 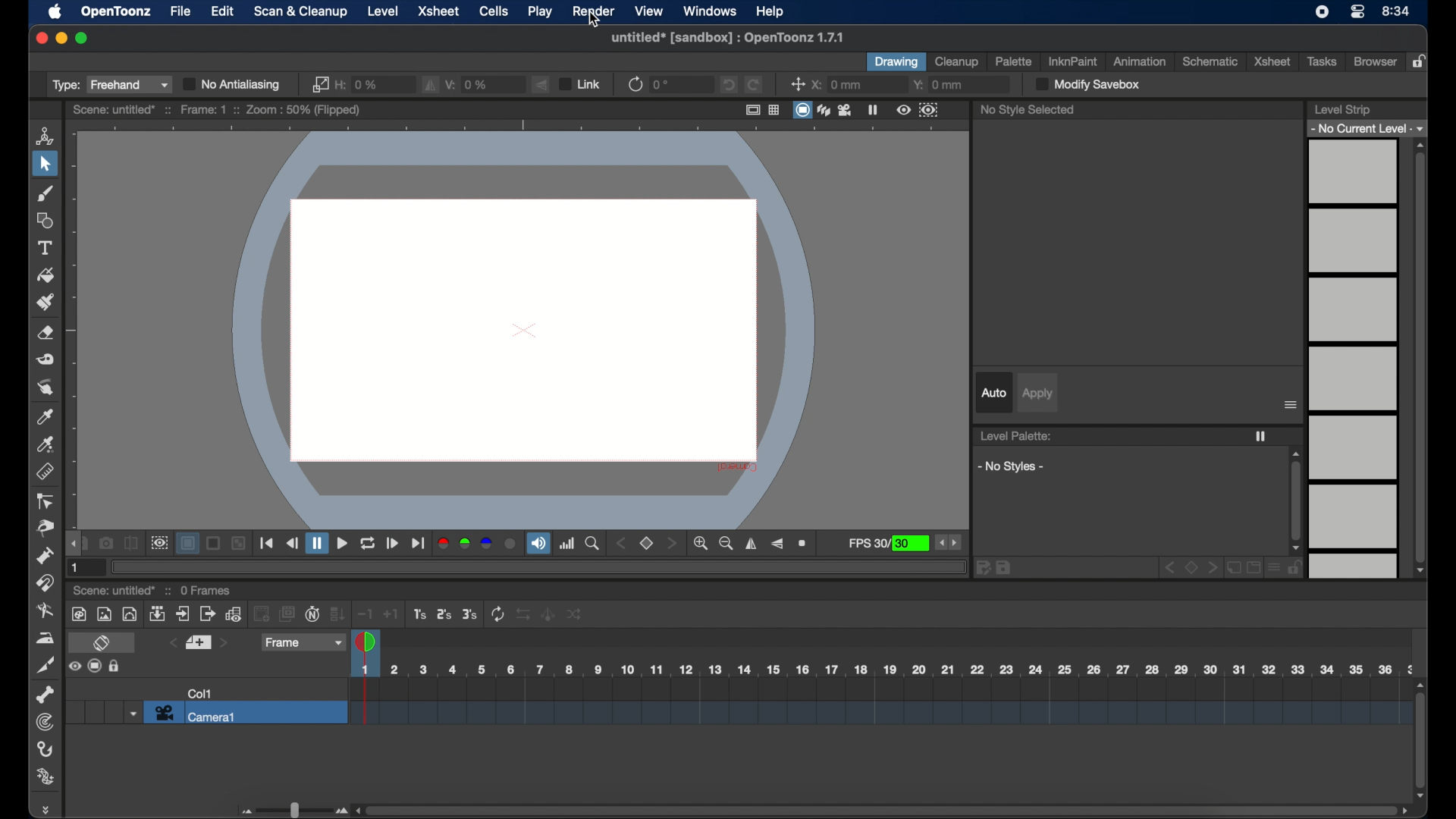 What do you see at coordinates (116, 667) in the screenshot?
I see `` at bounding box center [116, 667].